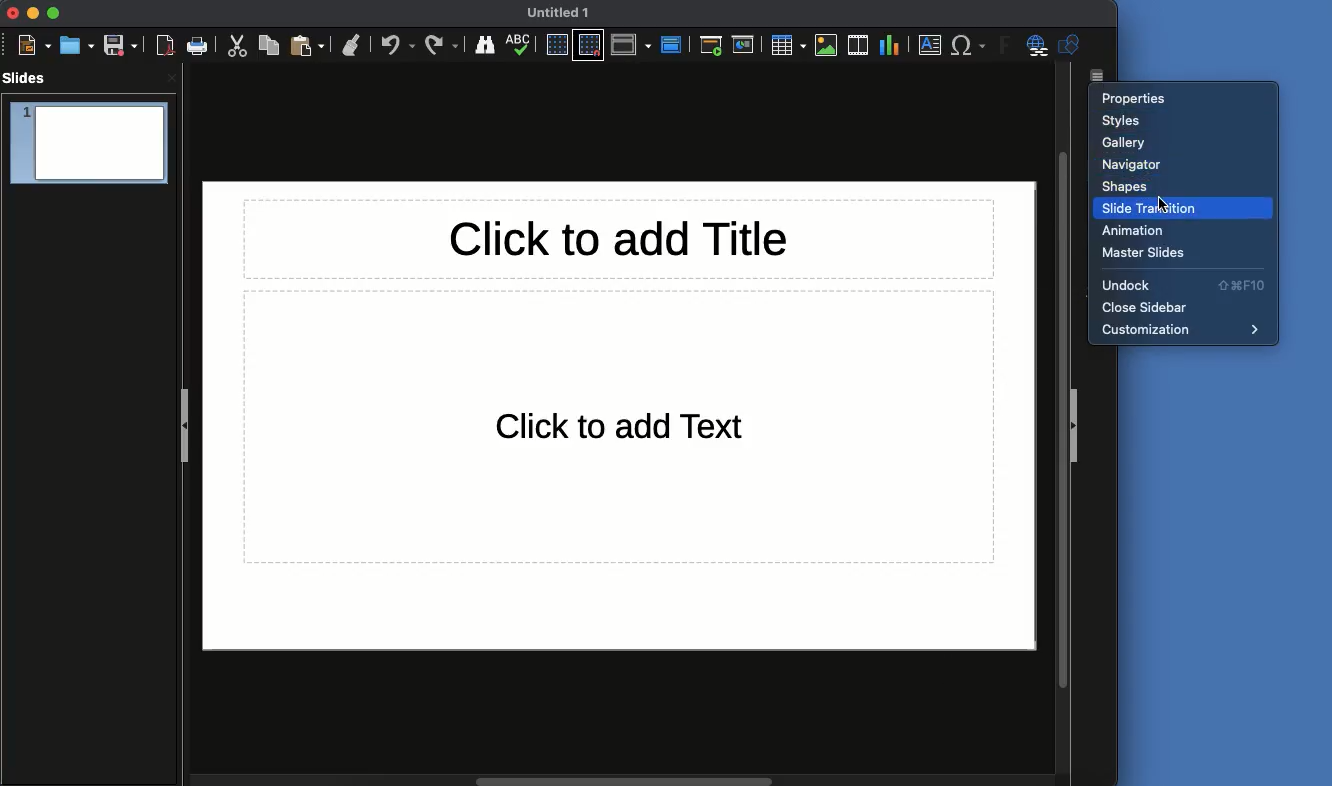 The image size is (1332, 786). What do you see at coordinates (559, 12) in the screenshot?
I see `` at bounding box center [559, 12].